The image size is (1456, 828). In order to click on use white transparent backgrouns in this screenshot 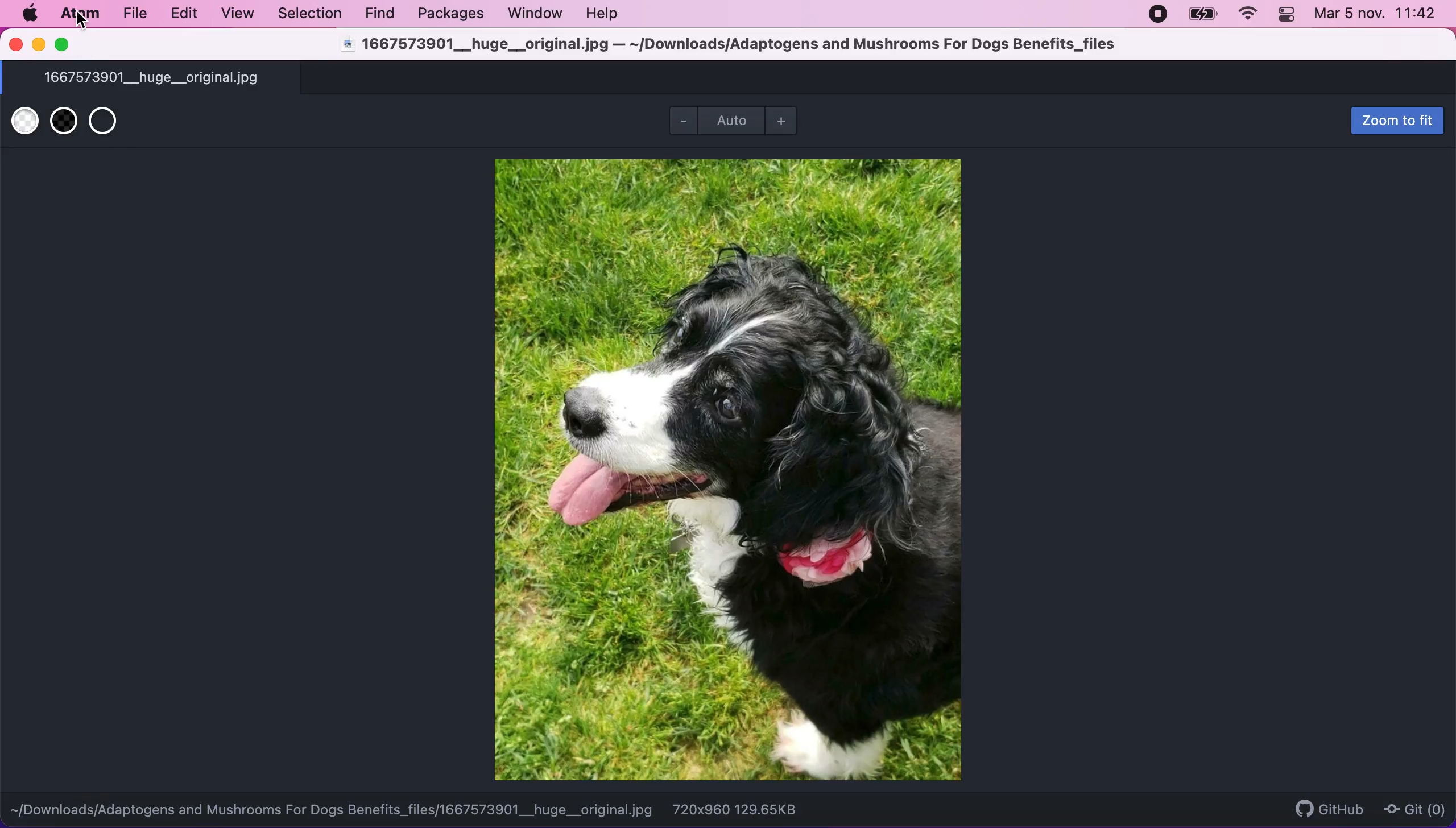, I will do `click(26, 121)`.